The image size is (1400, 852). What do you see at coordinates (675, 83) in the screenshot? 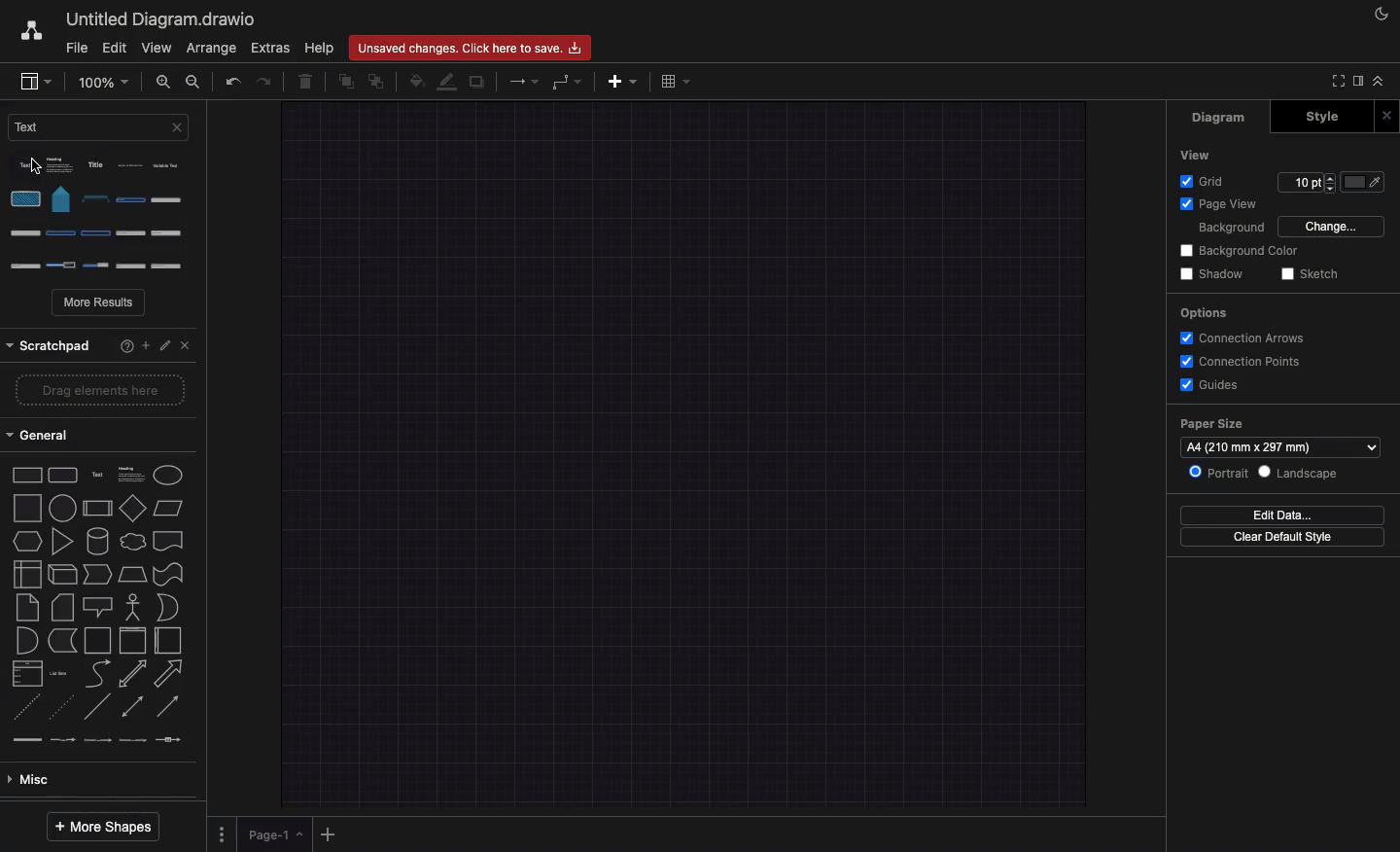
I see `Table` at bounding box center [675, 83].